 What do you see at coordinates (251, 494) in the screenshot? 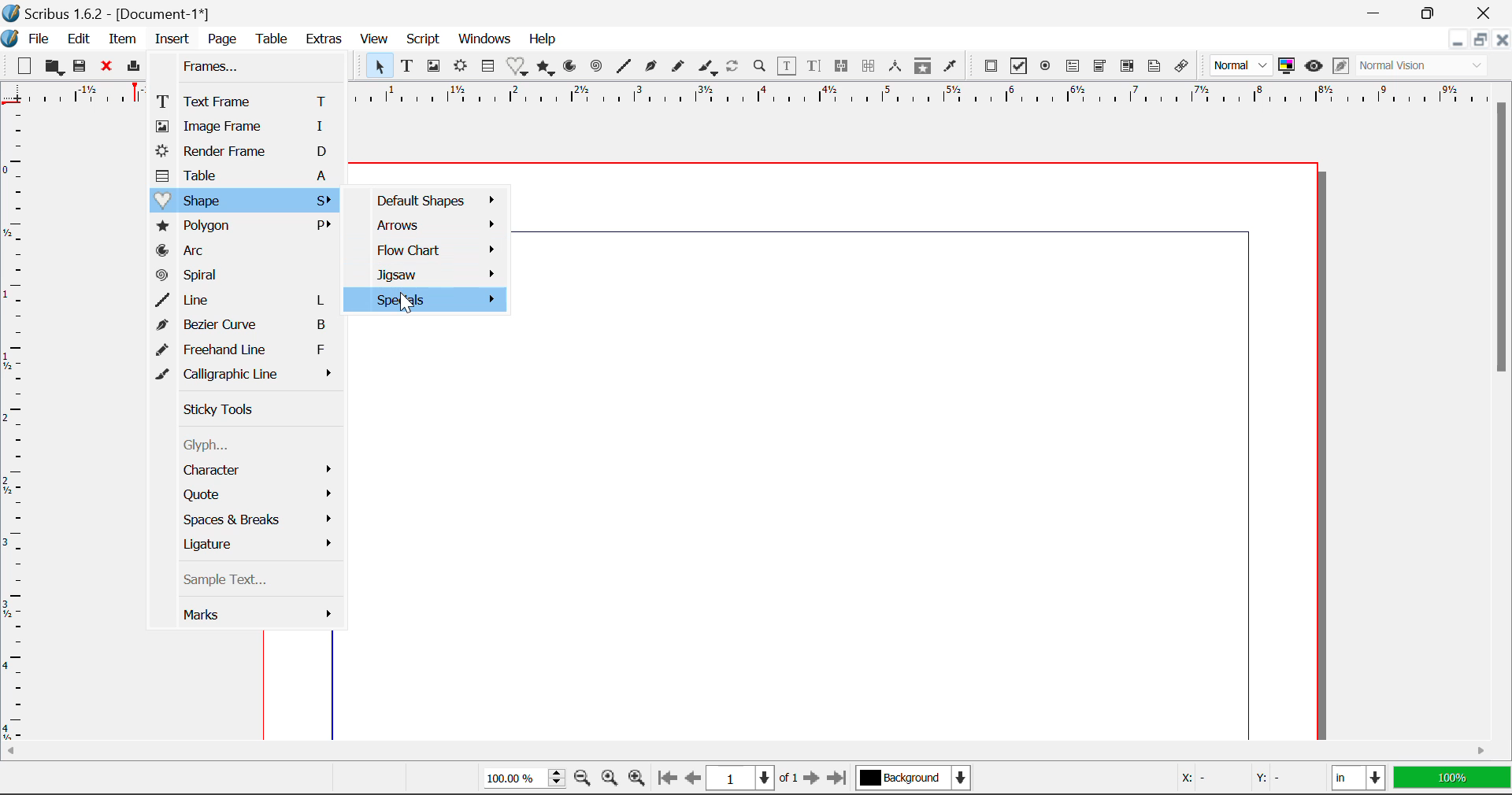
I see `Quote` at bounding box center [251, 494].